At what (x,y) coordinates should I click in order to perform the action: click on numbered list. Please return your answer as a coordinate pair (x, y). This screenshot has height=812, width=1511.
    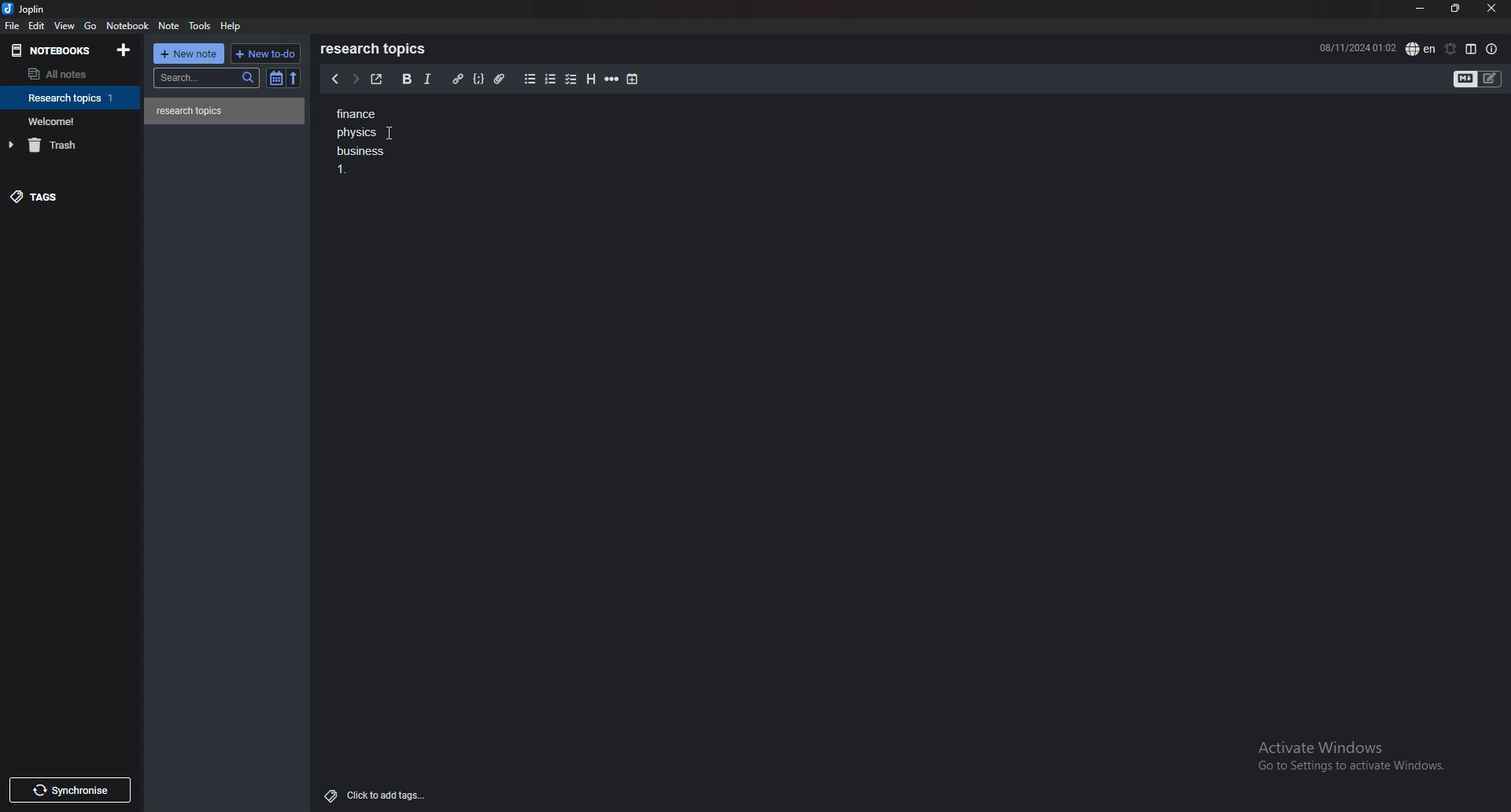
    Looking at the image, I should click on (552, 79).